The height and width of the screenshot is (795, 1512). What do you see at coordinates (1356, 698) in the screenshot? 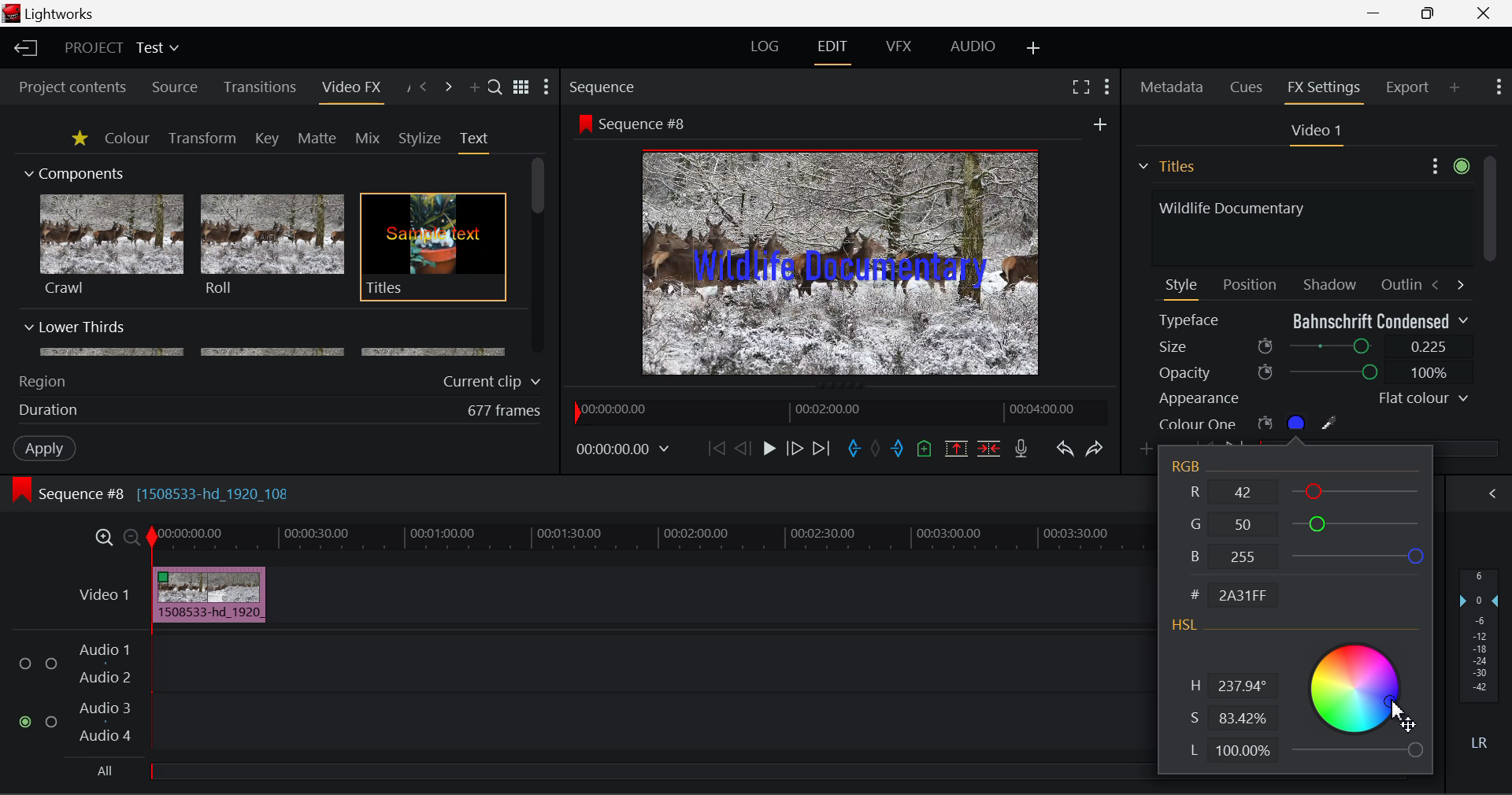
I see `Color Selector` at bounding box center [1356, 698].